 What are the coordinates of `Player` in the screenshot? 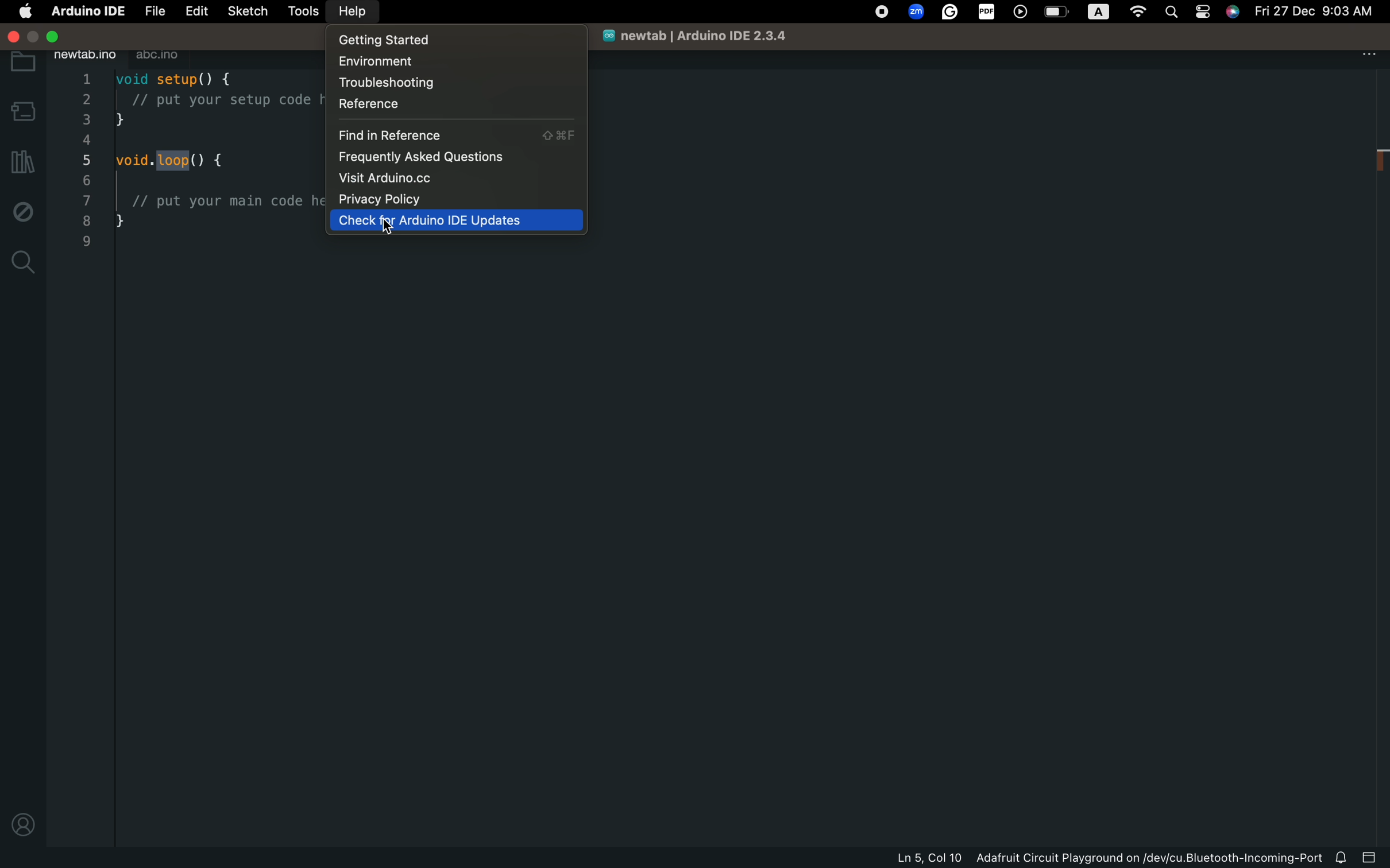 It's located at (1022, 13).